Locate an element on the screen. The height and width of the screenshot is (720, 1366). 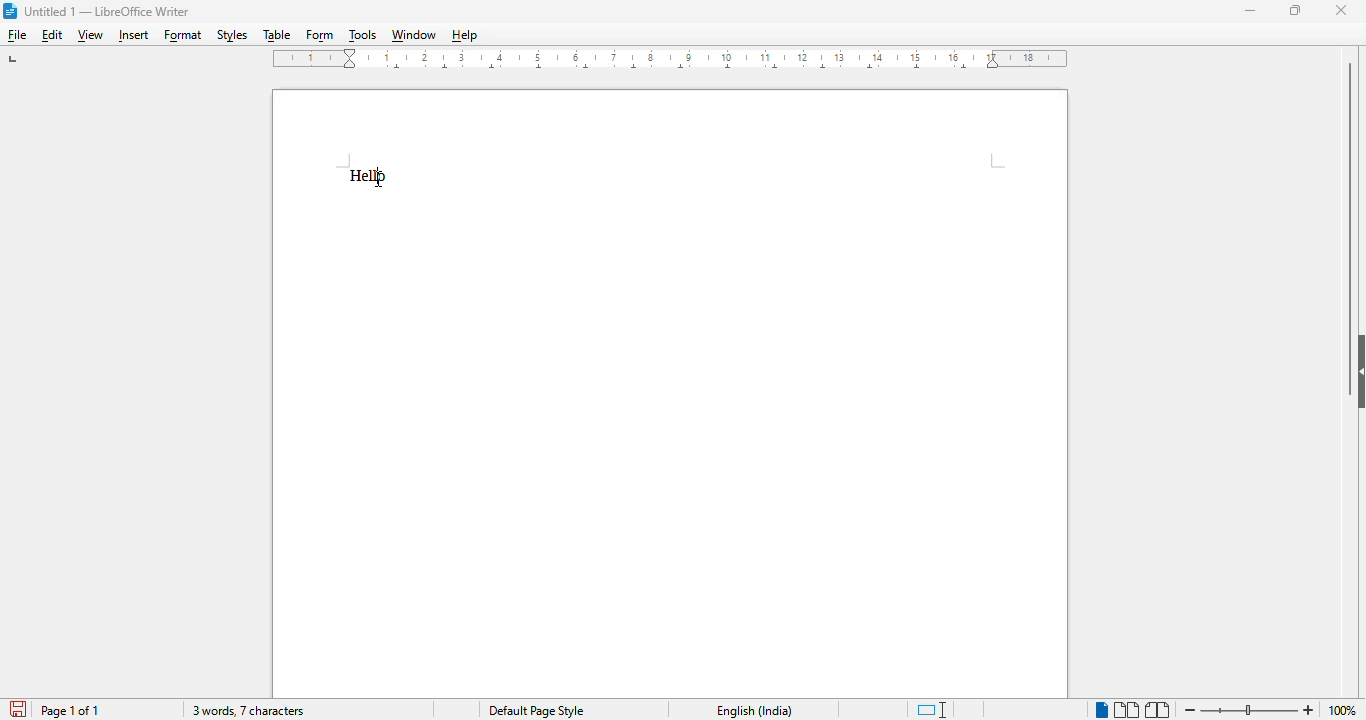
maximize is located at coordinates (1295, 9).